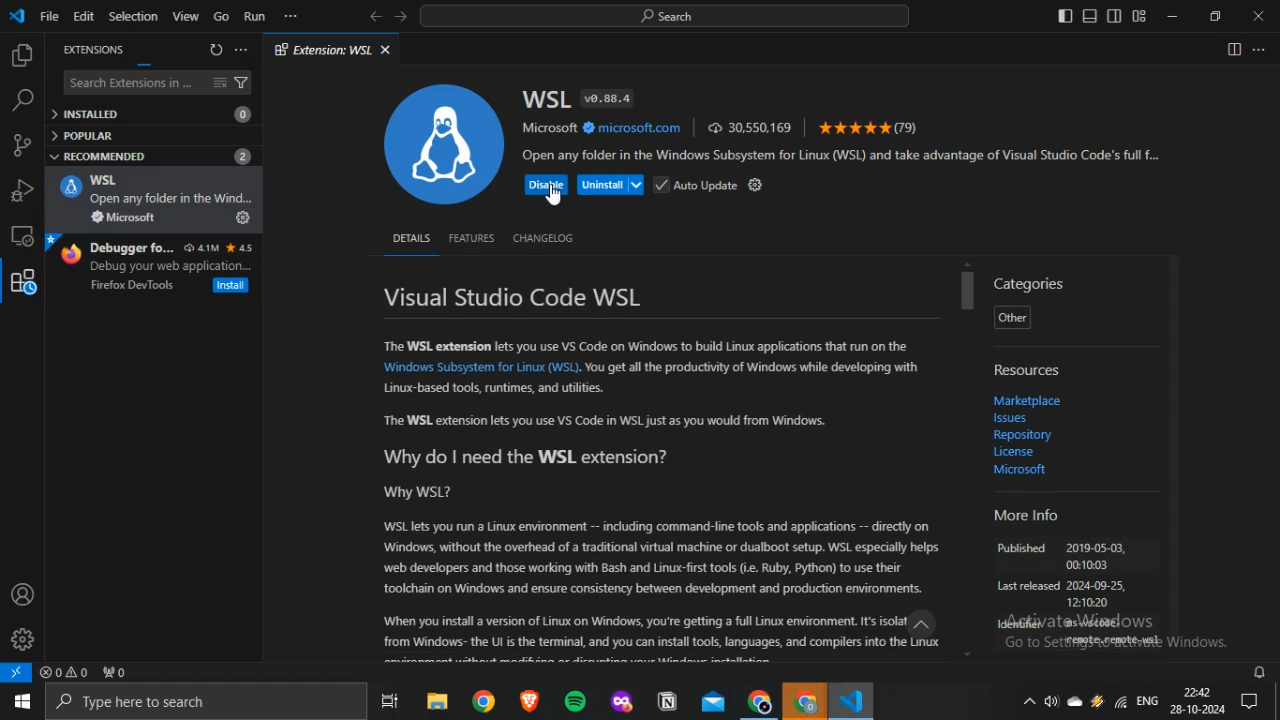  Describe the element at coordinates (400, 16) in the screenshot. I see `forward` at that location.